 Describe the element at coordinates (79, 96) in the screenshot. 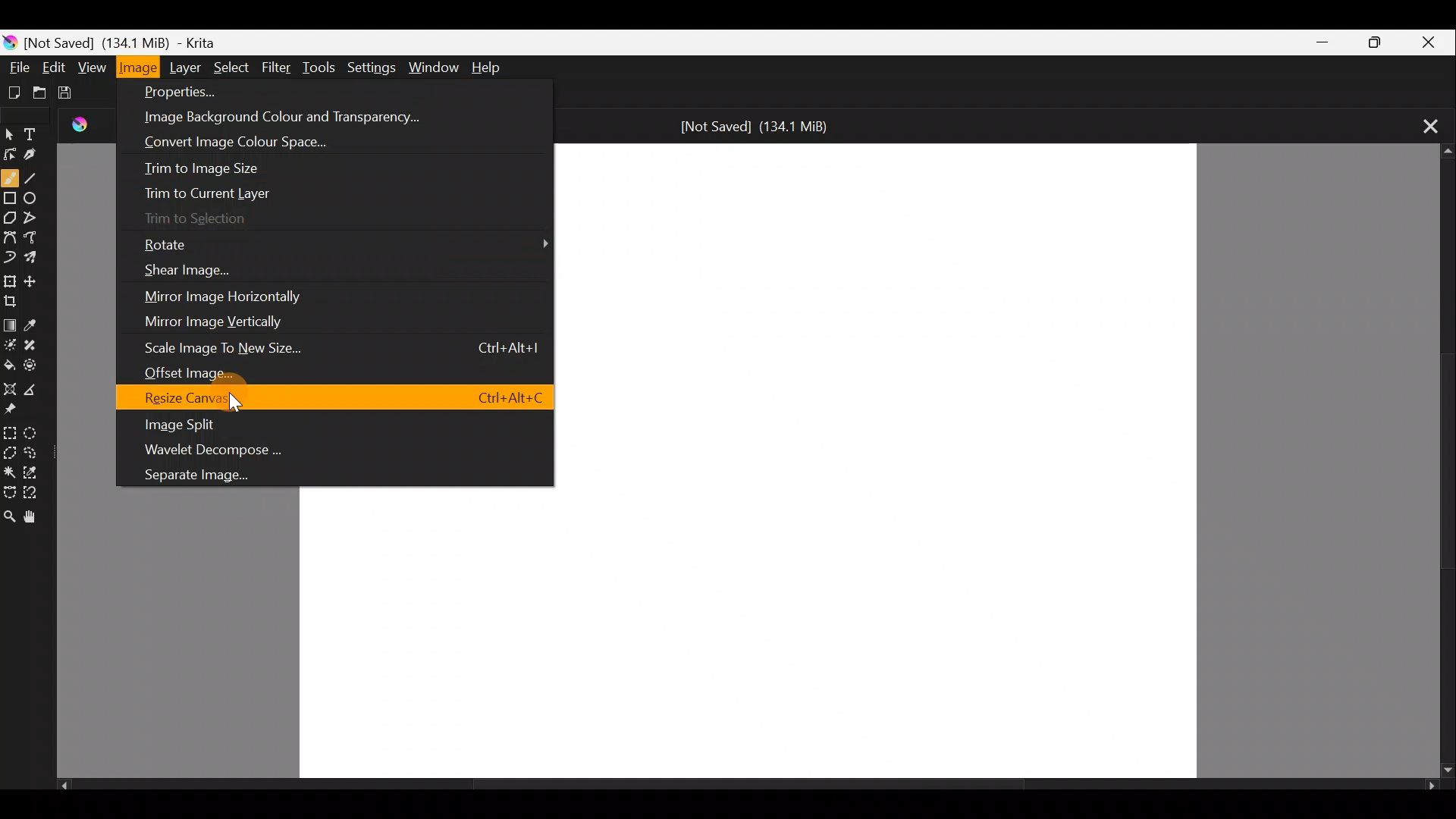

I see `Save` at that location.